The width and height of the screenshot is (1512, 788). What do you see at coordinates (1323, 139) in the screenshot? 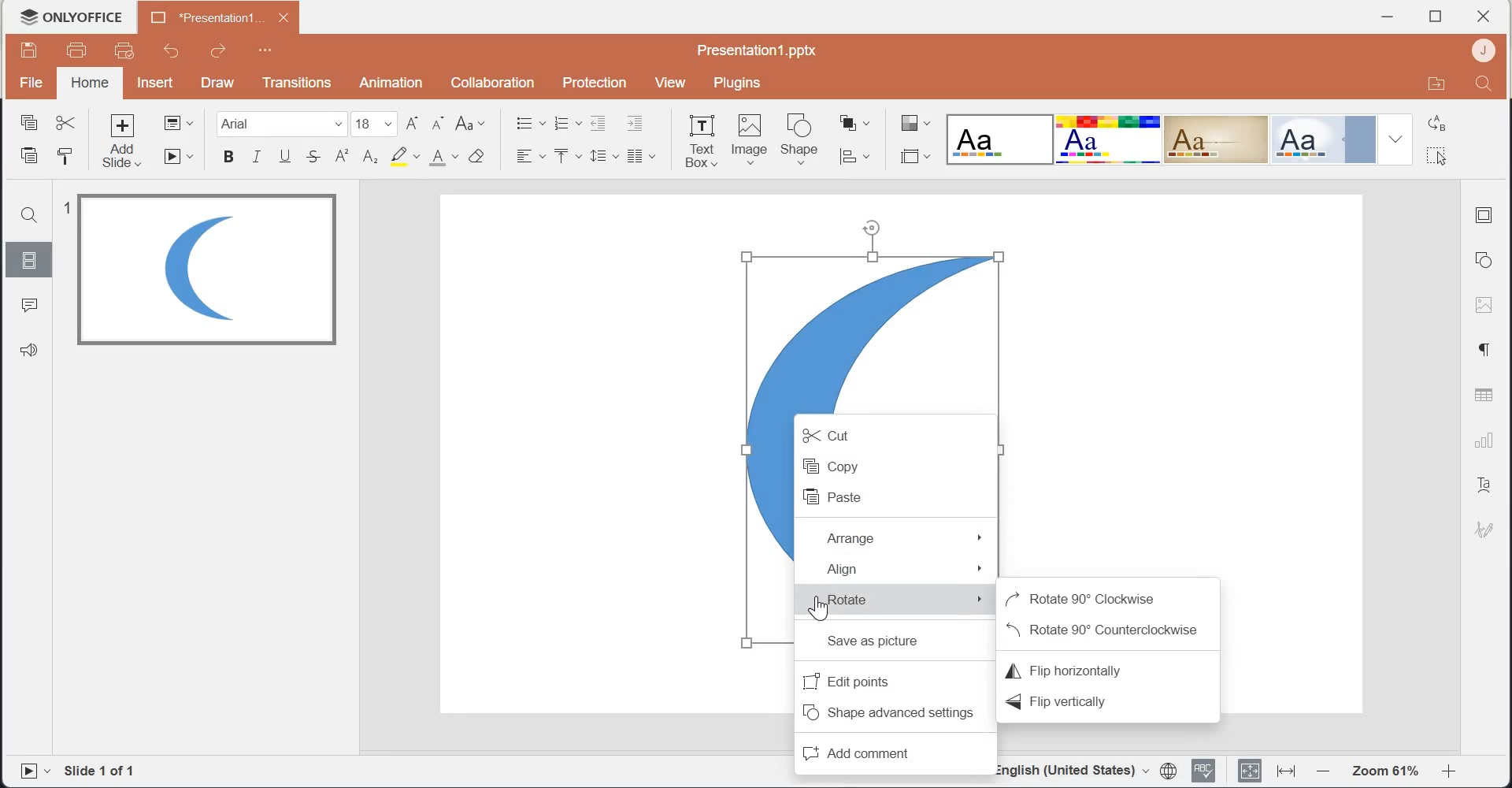
I see `Official` at bounding box center [1323, 139].